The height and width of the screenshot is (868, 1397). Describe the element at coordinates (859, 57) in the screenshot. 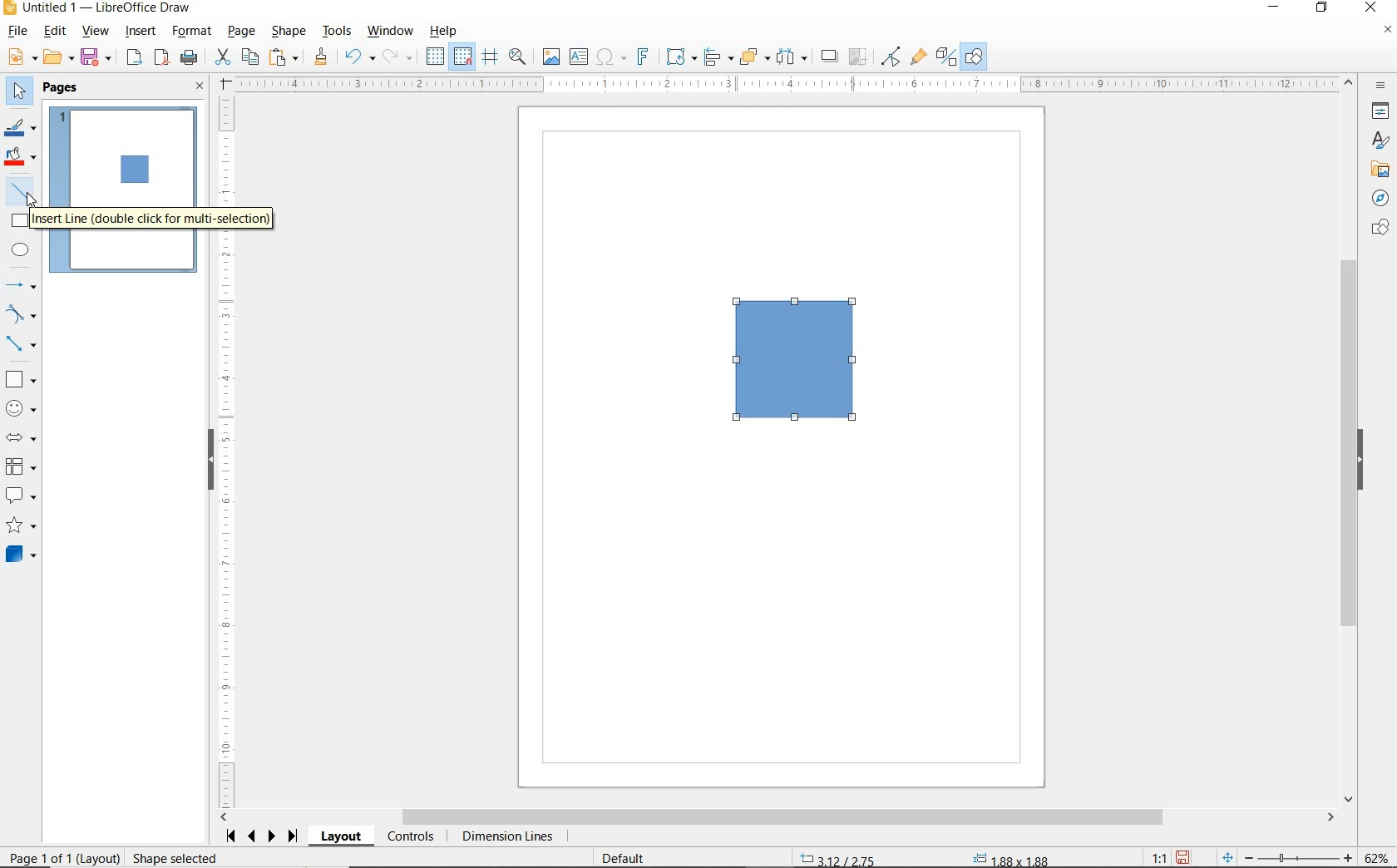

I see `CROP IMAGE` at that location.